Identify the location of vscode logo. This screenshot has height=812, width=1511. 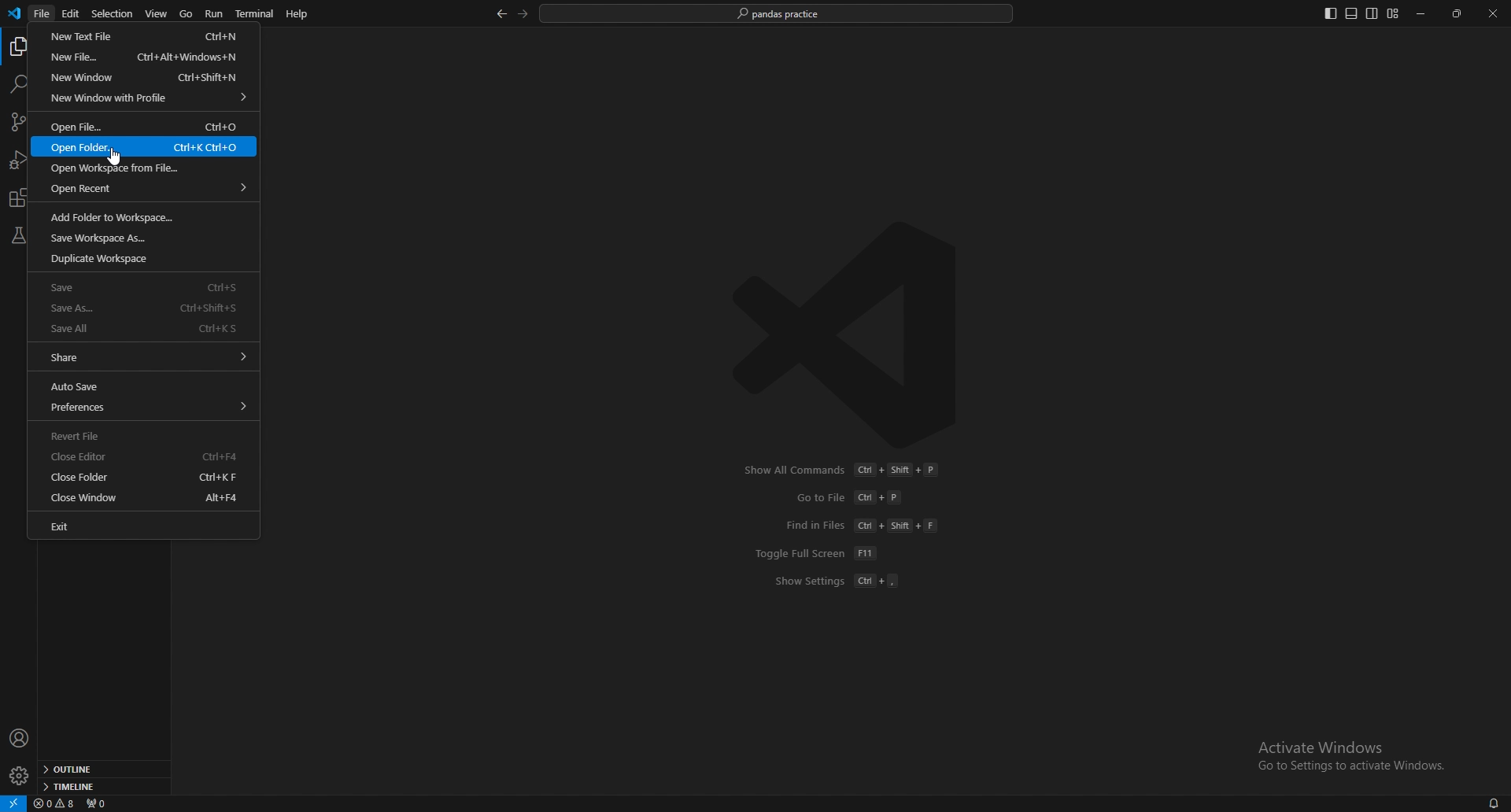
(14, 14).